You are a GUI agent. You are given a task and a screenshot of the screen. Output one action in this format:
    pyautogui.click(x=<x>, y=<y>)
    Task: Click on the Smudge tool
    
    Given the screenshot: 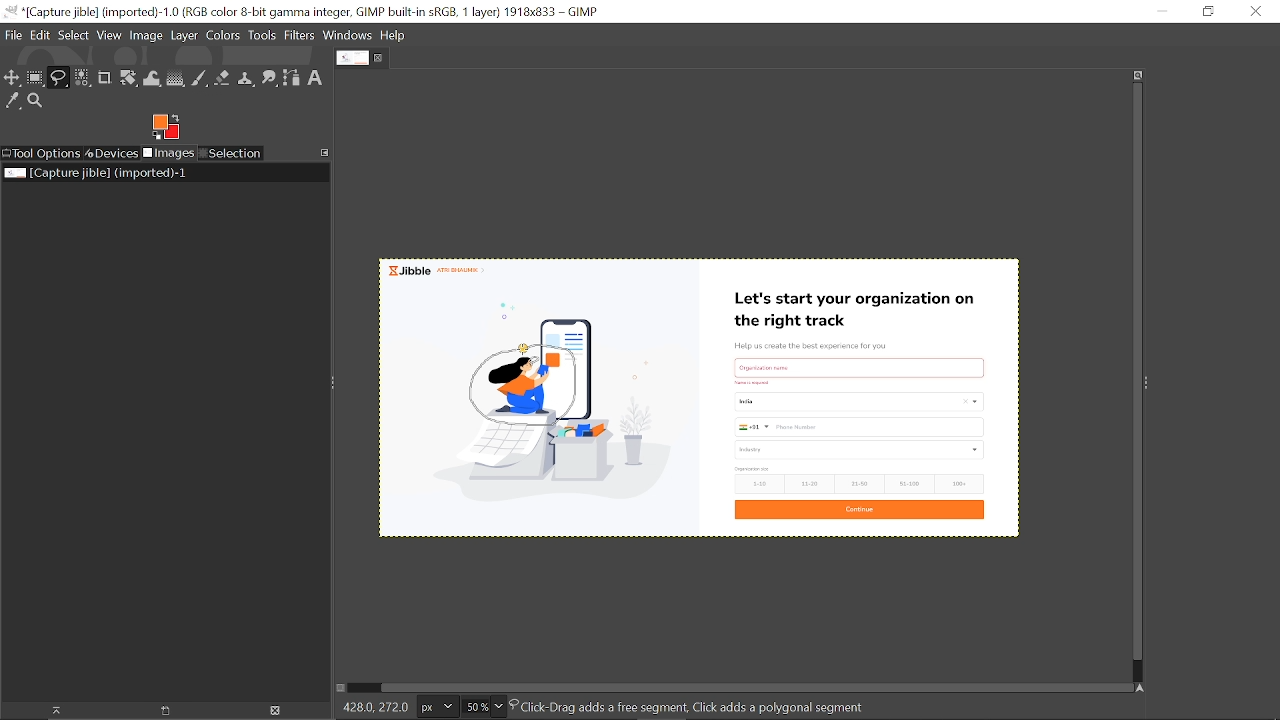 What is the action you would take?
    pyautogui.click(x=270, y=79)
    